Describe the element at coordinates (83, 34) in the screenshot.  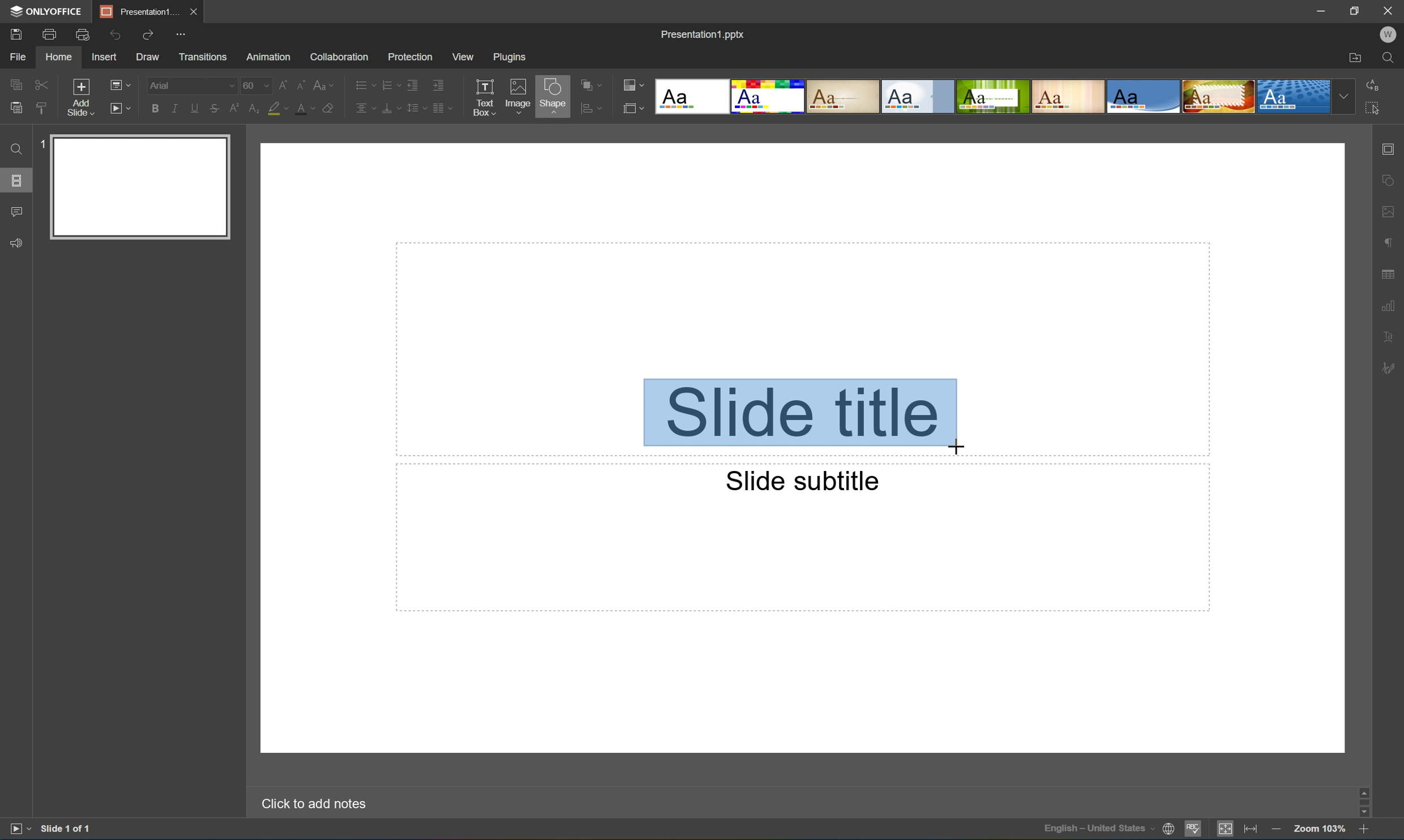
I see `Quick print` at that location.